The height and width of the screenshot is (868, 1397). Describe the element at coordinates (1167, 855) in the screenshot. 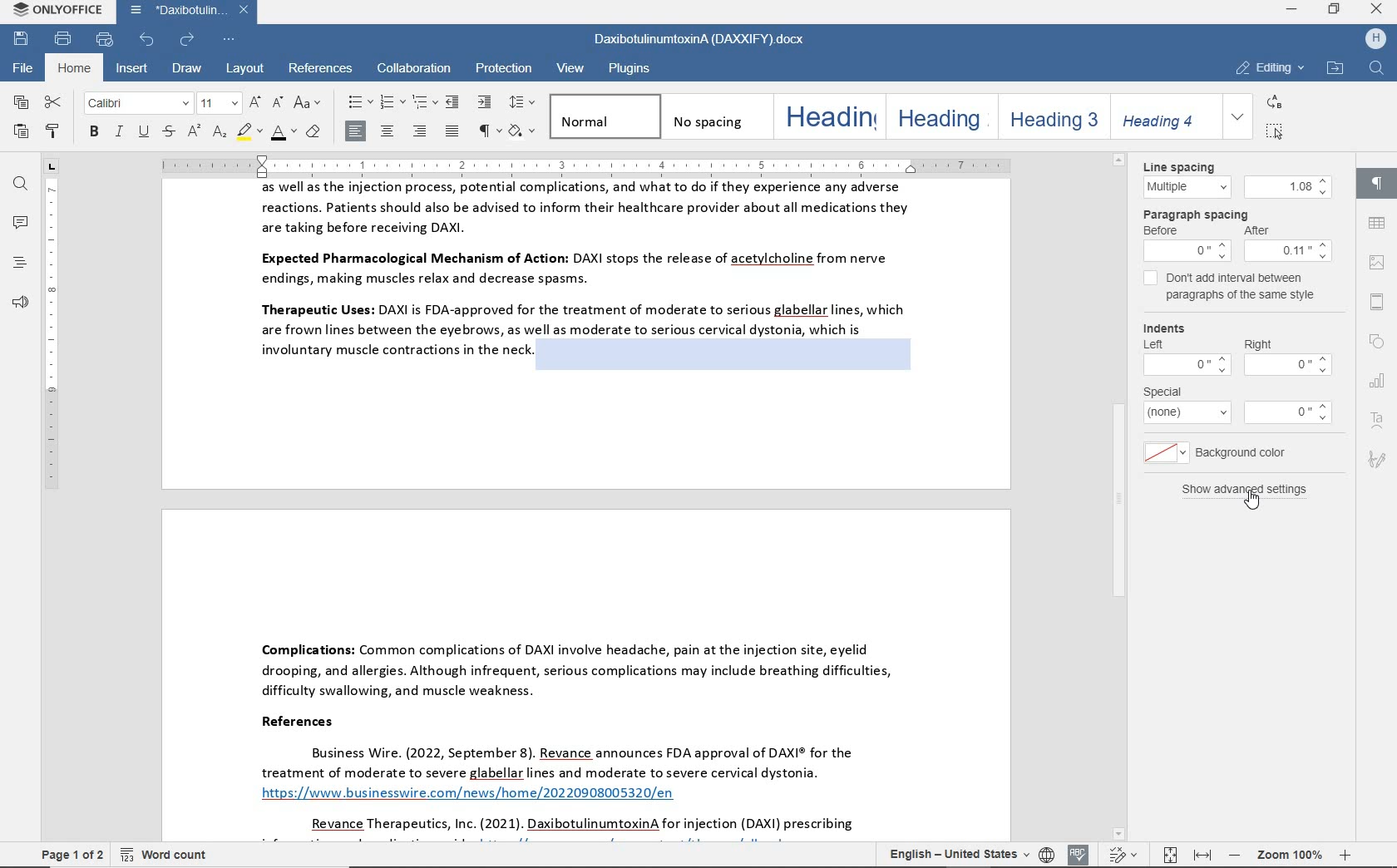

I see `fit to page` at that location.